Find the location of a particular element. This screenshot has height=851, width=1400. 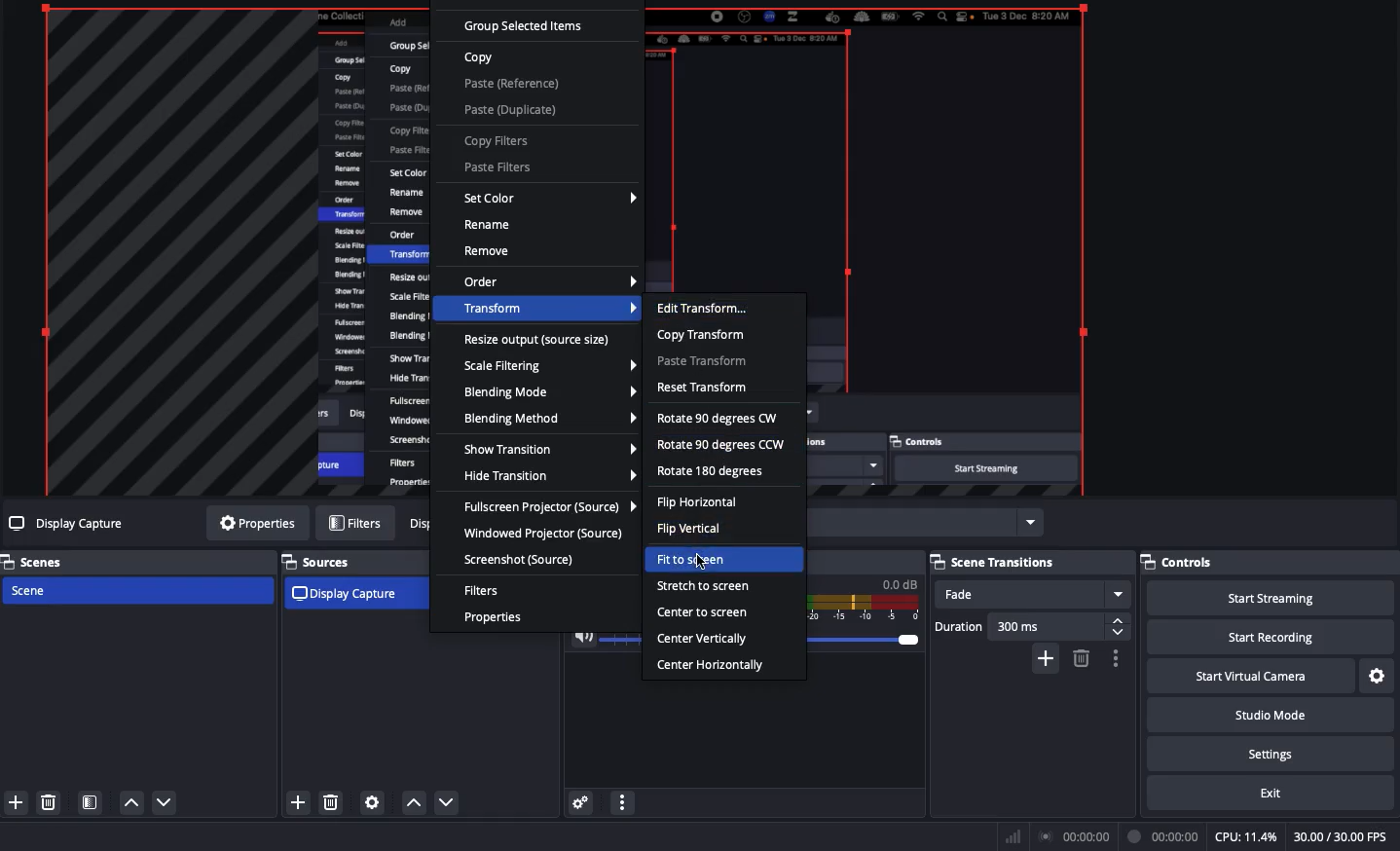

Transform is located at coordinates (549, 311).